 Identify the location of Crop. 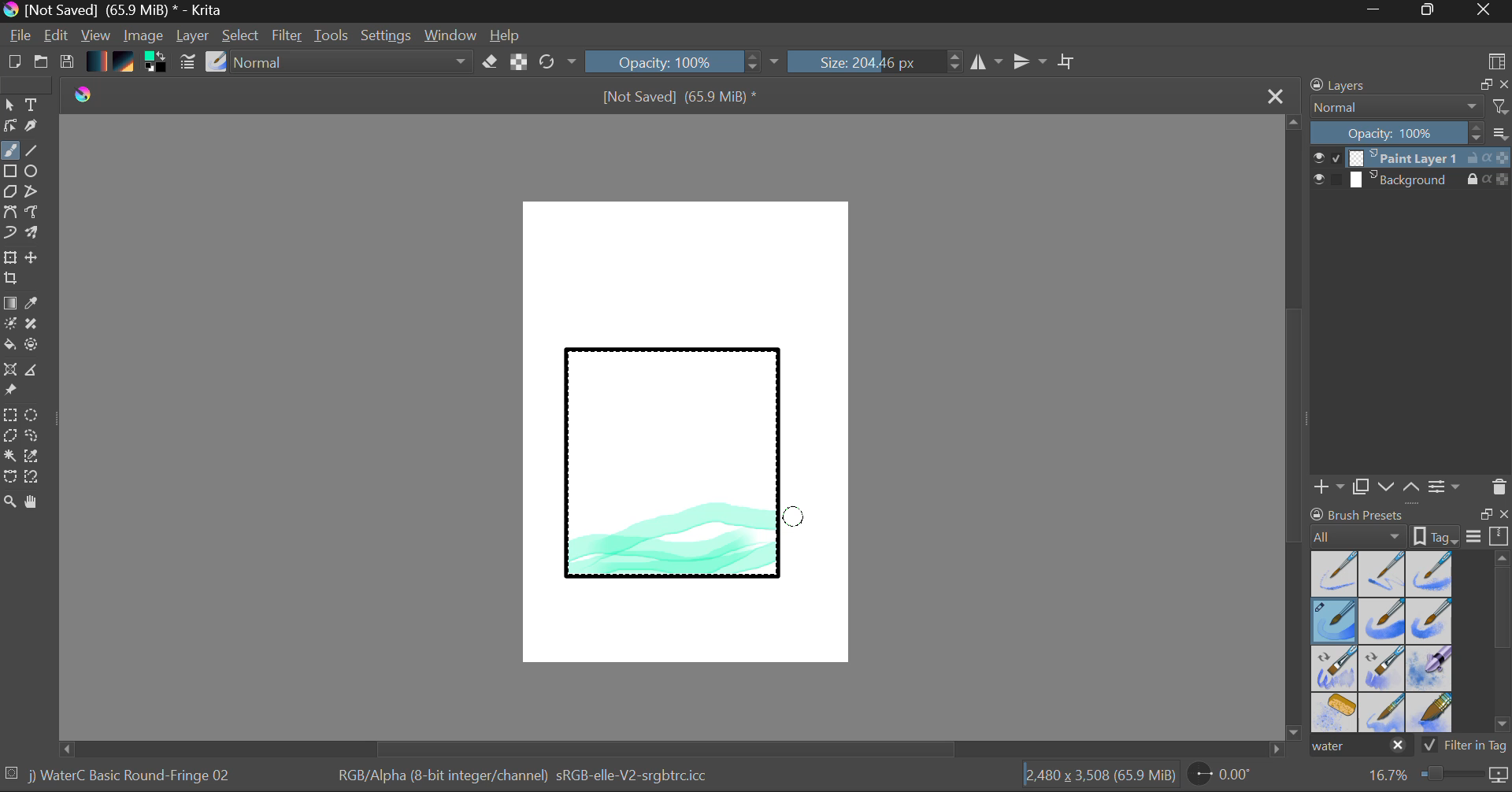
(1069, 61).